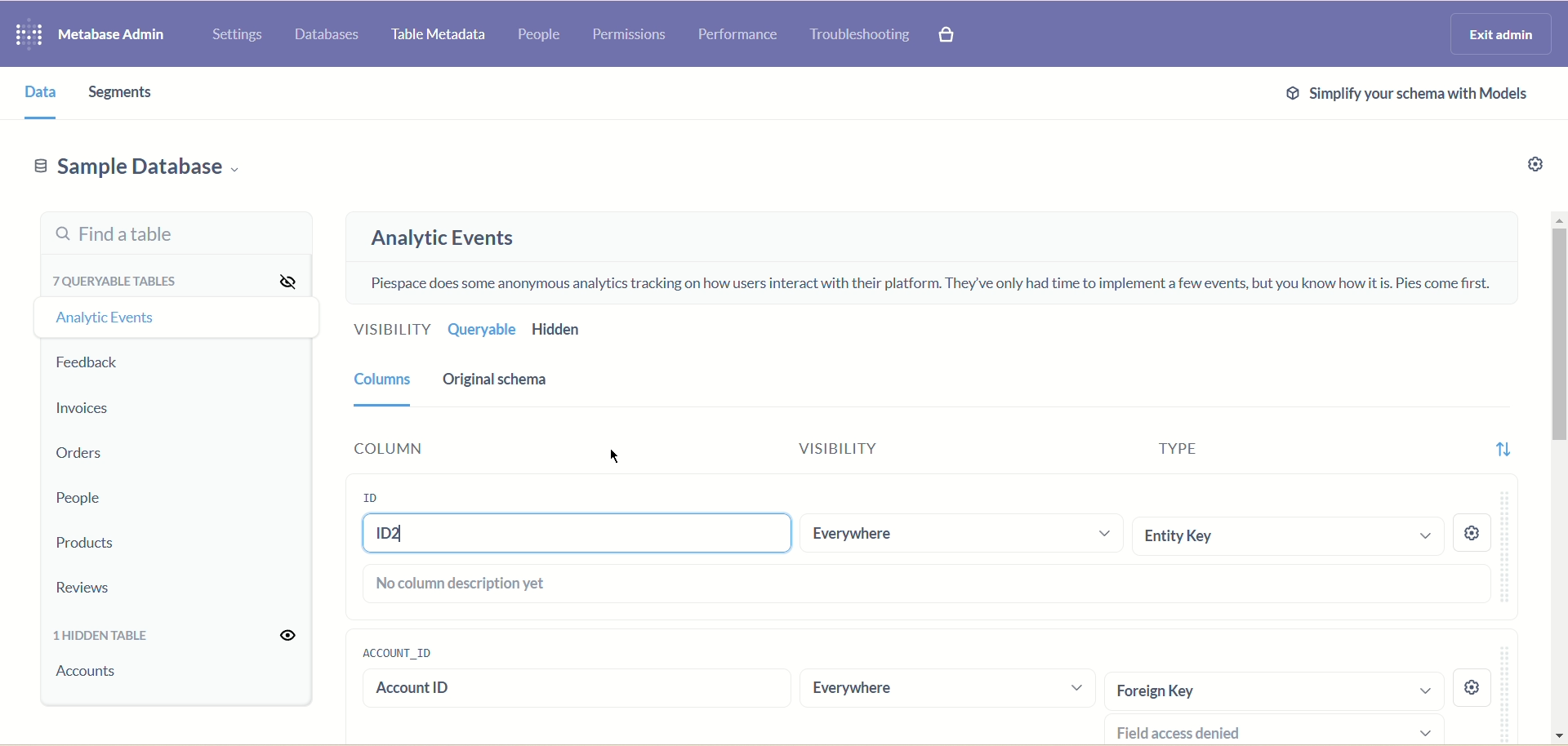 The height and width of the screenshot is (746, 1568). Describe the element at coordinates (462, 451) in the screenshot. I see `Column` at that location.